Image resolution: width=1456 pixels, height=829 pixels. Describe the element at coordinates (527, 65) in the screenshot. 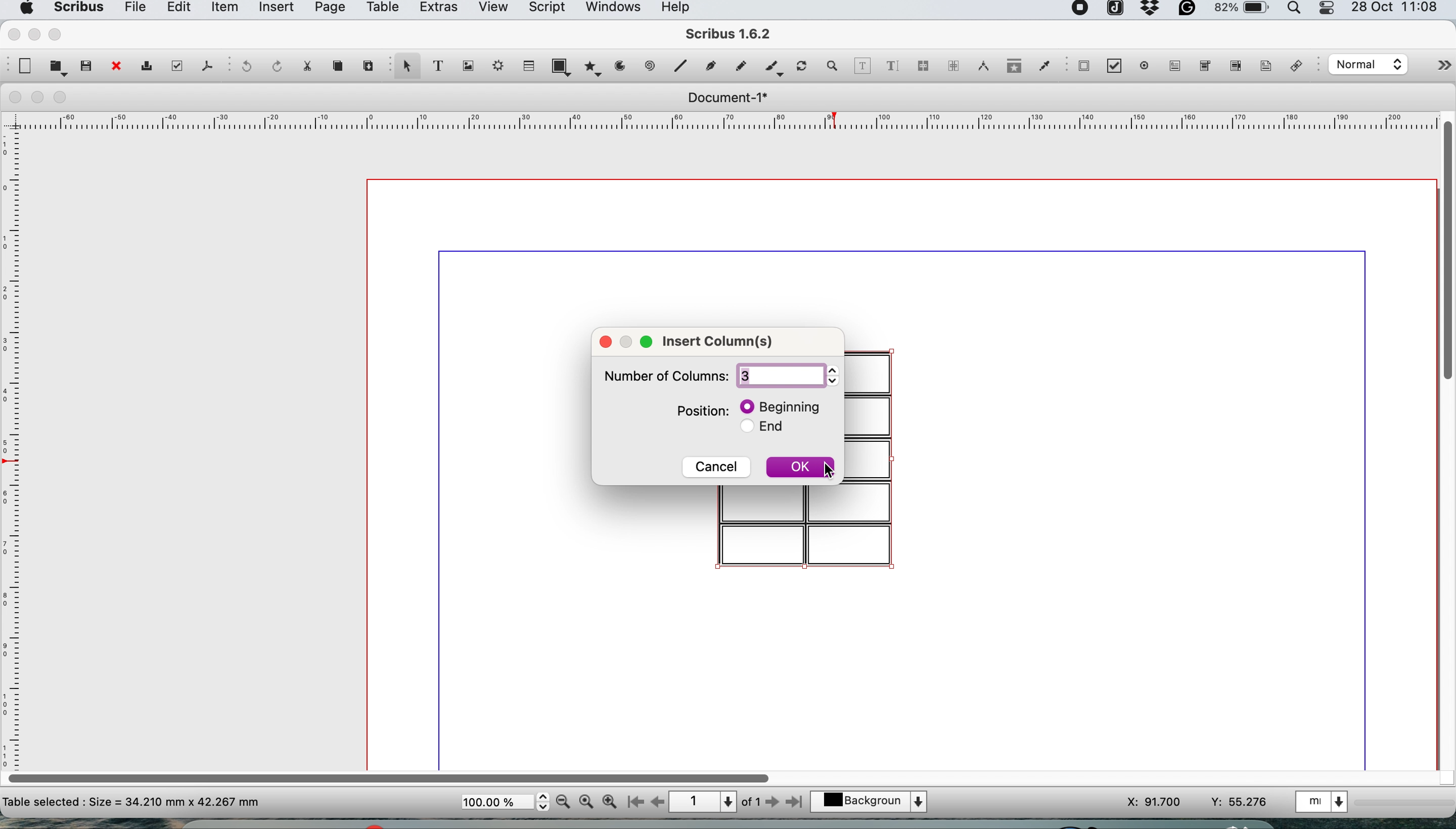

I see `table` at that location.